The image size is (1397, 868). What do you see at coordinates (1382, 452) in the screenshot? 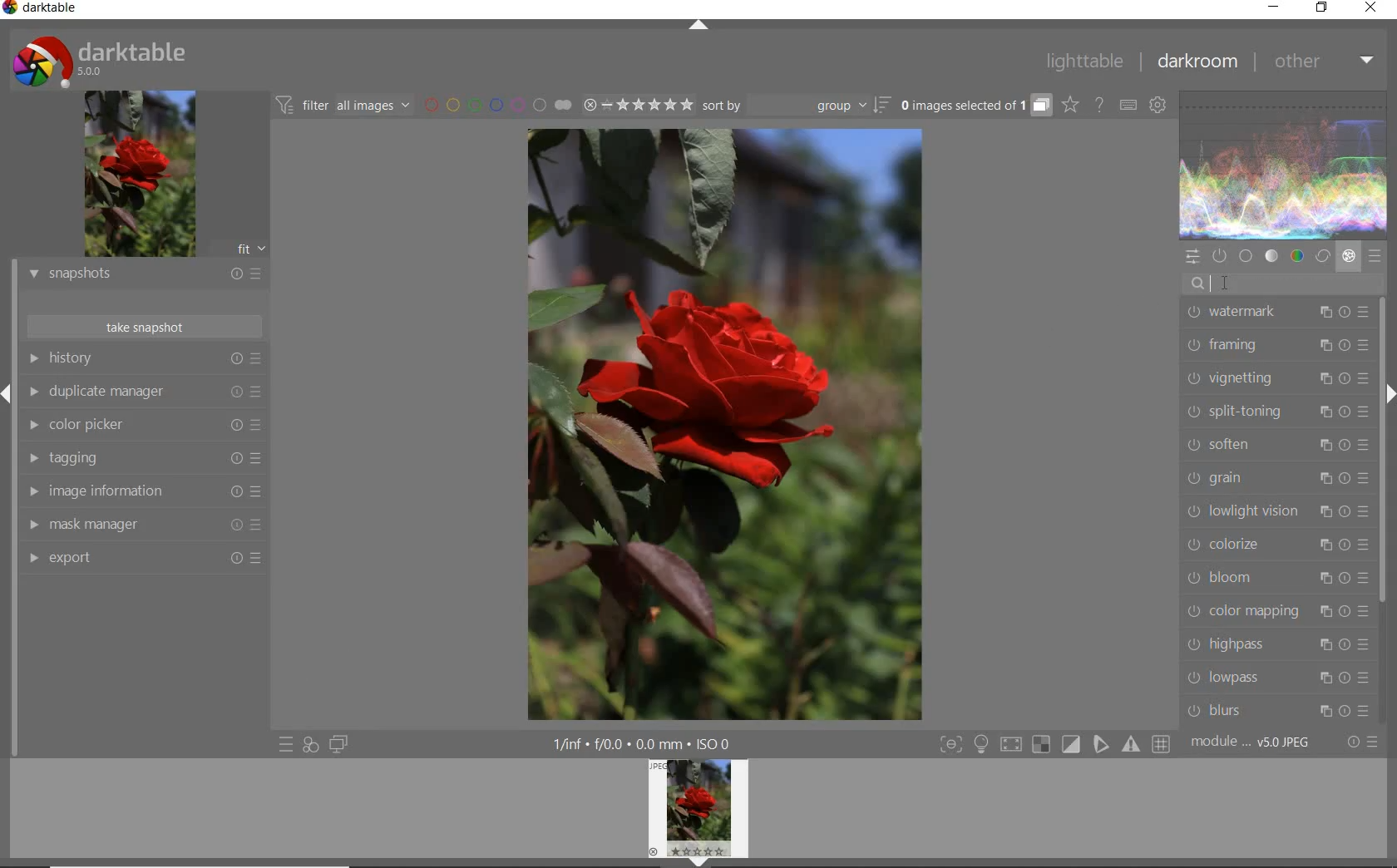
I see `scrollbar` at bounding box center [1382, 452].